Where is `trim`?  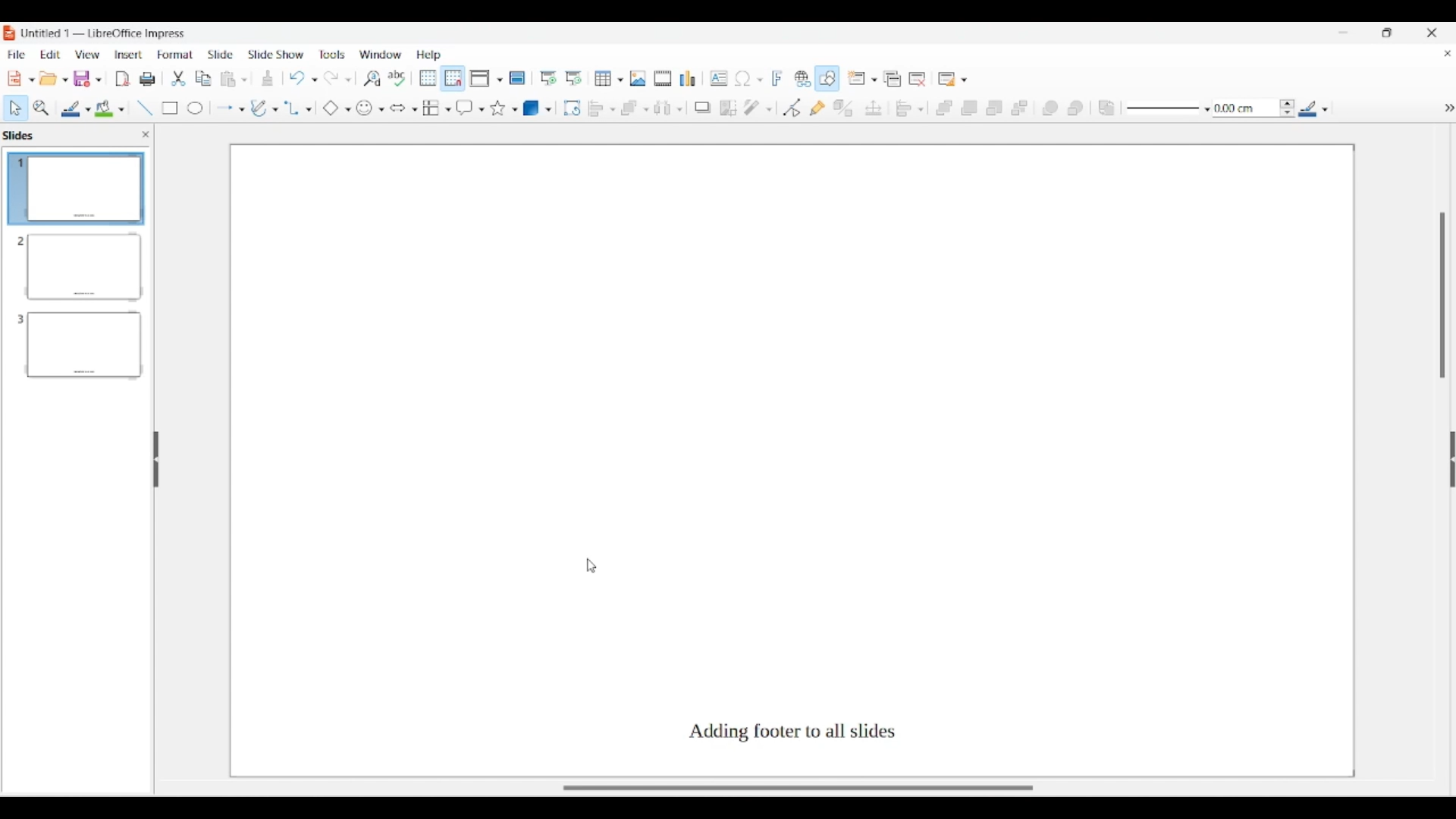 trim is located at coordinates (176, 77).